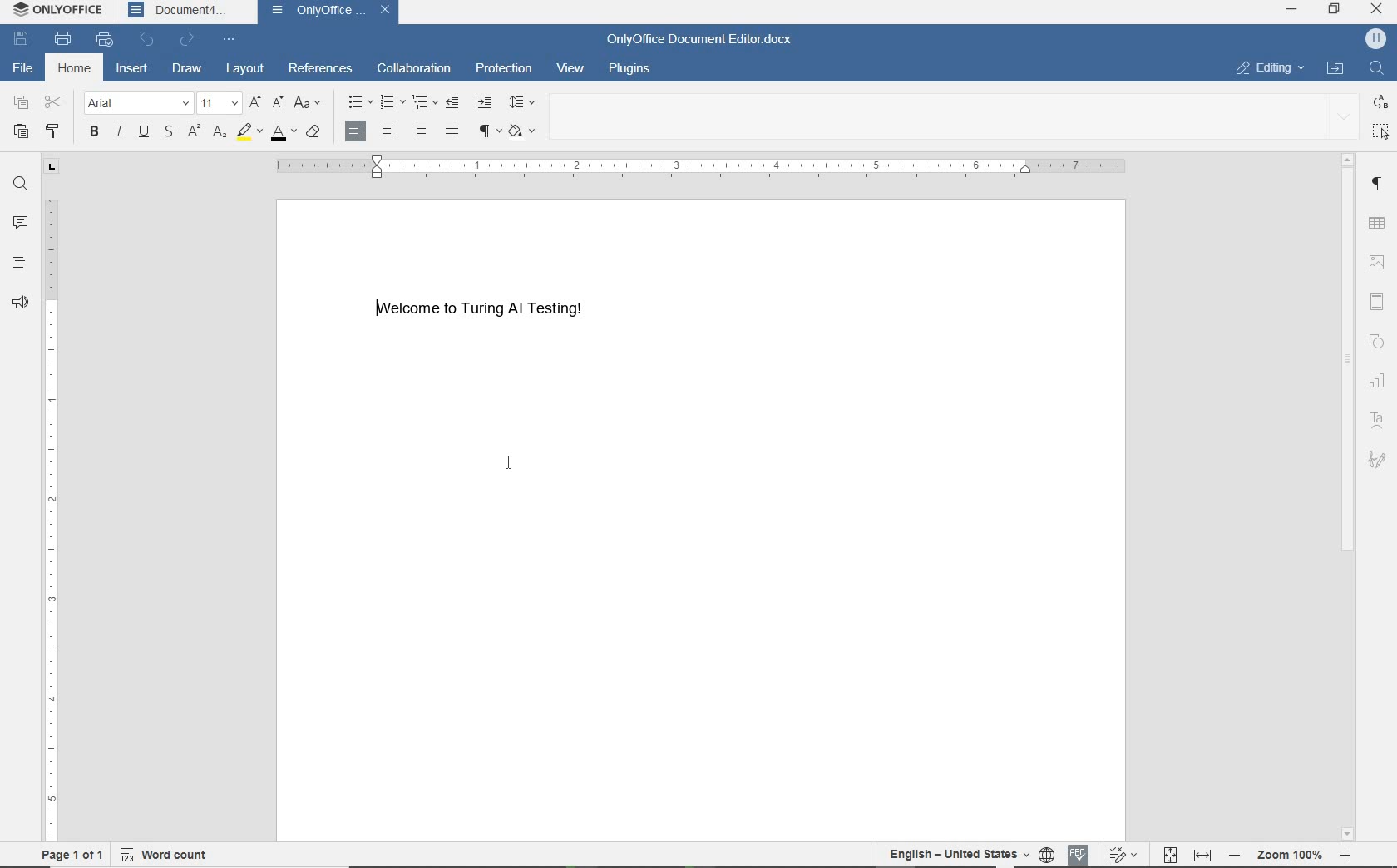  I want to click on decrease indent, so click(455, 102).